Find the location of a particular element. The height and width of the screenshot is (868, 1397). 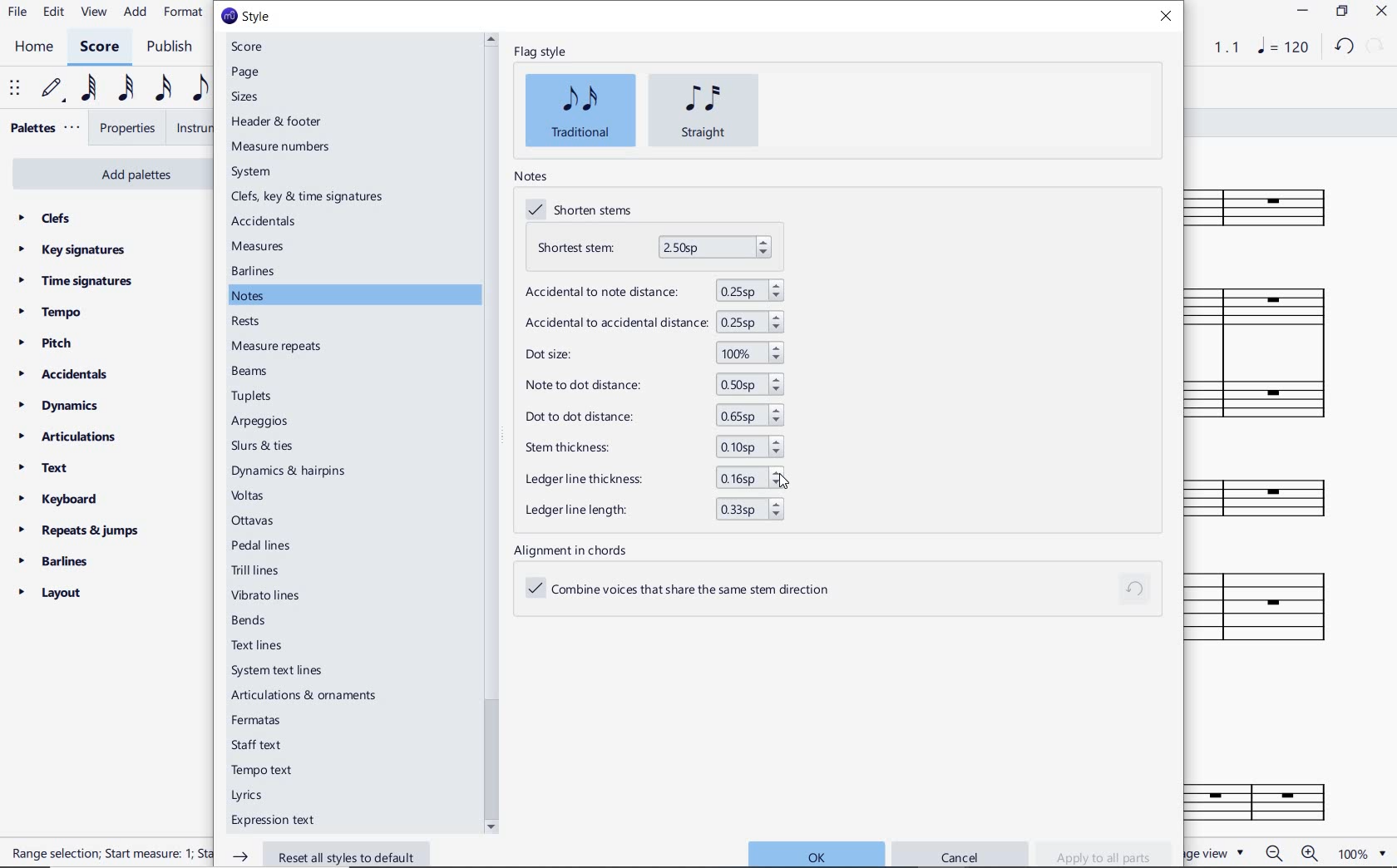

flag style is located at coordinates (540, 53).